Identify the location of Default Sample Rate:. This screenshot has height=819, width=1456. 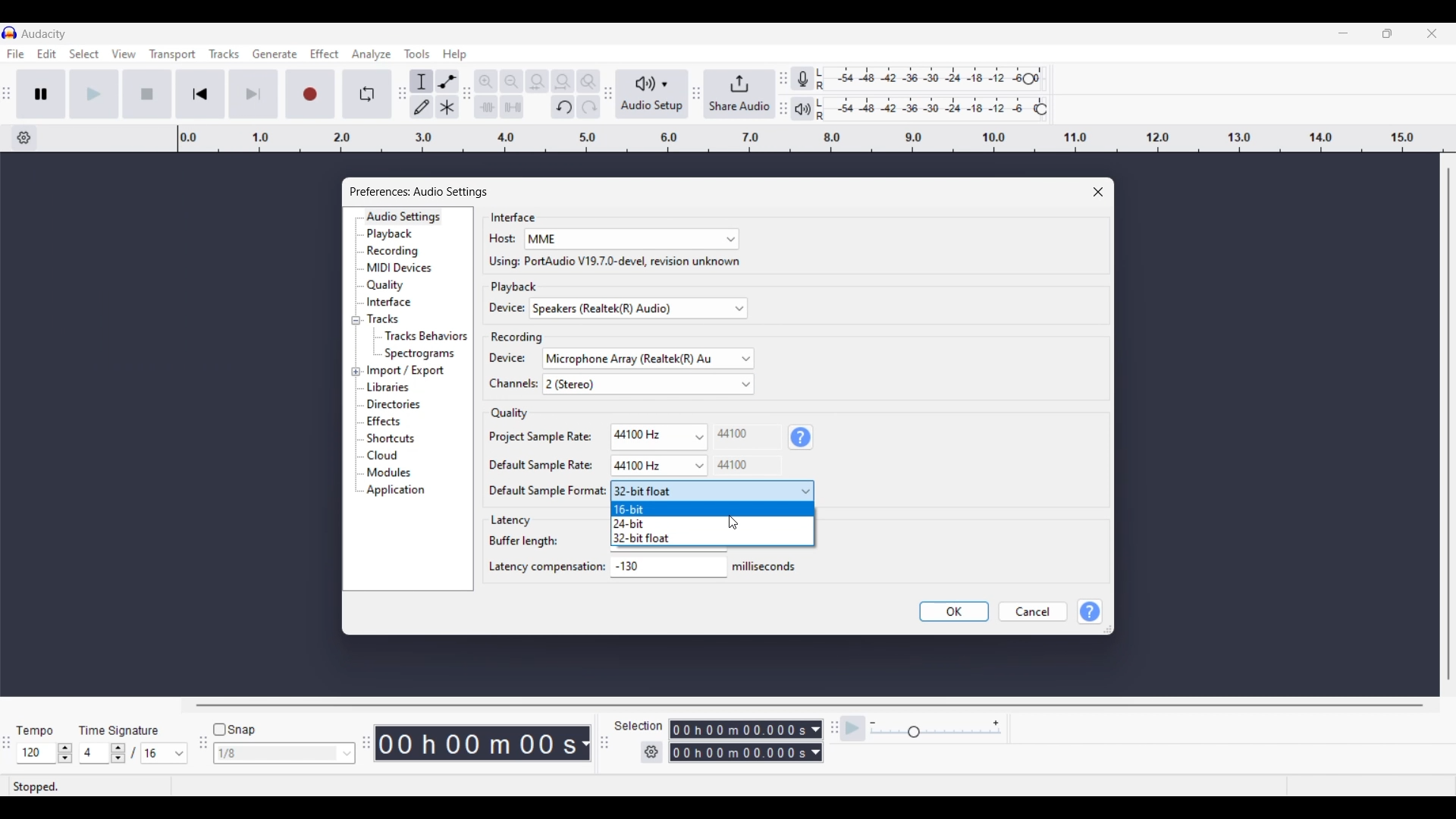
(532, 465).